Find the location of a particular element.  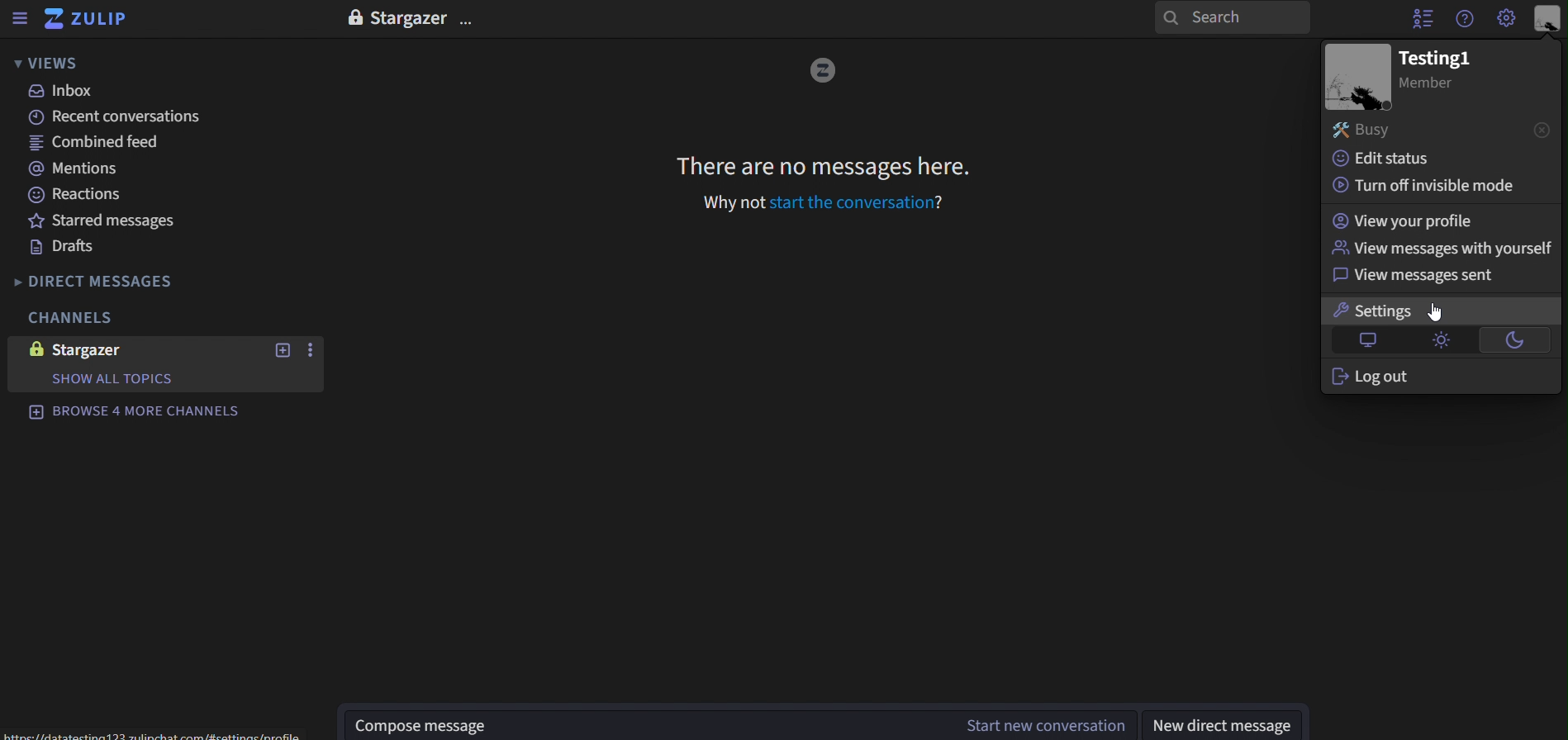

main menu is located at coordinates (1506, 19).